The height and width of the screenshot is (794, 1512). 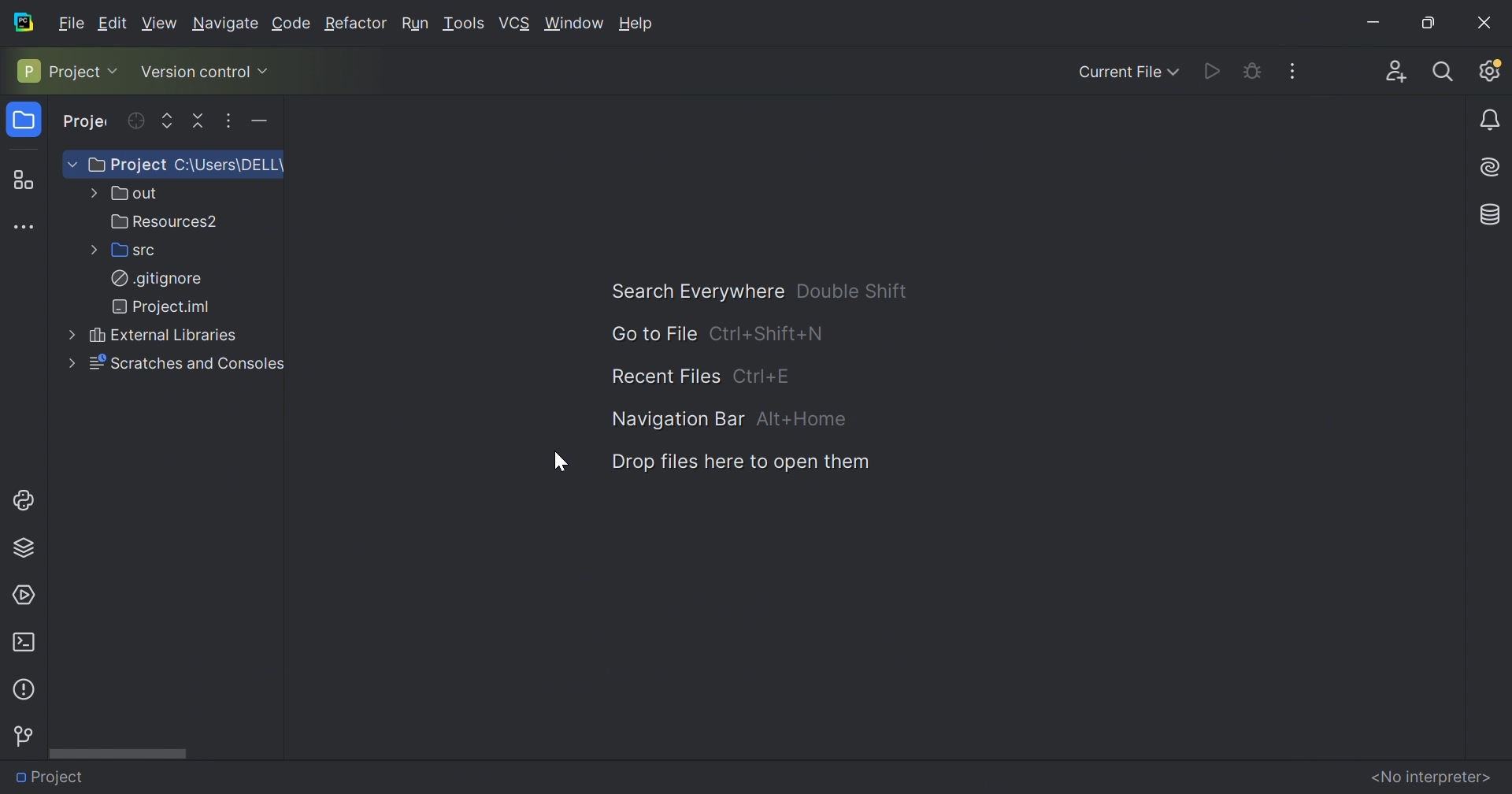 I want to click on Options, so click(x=227, y=119).